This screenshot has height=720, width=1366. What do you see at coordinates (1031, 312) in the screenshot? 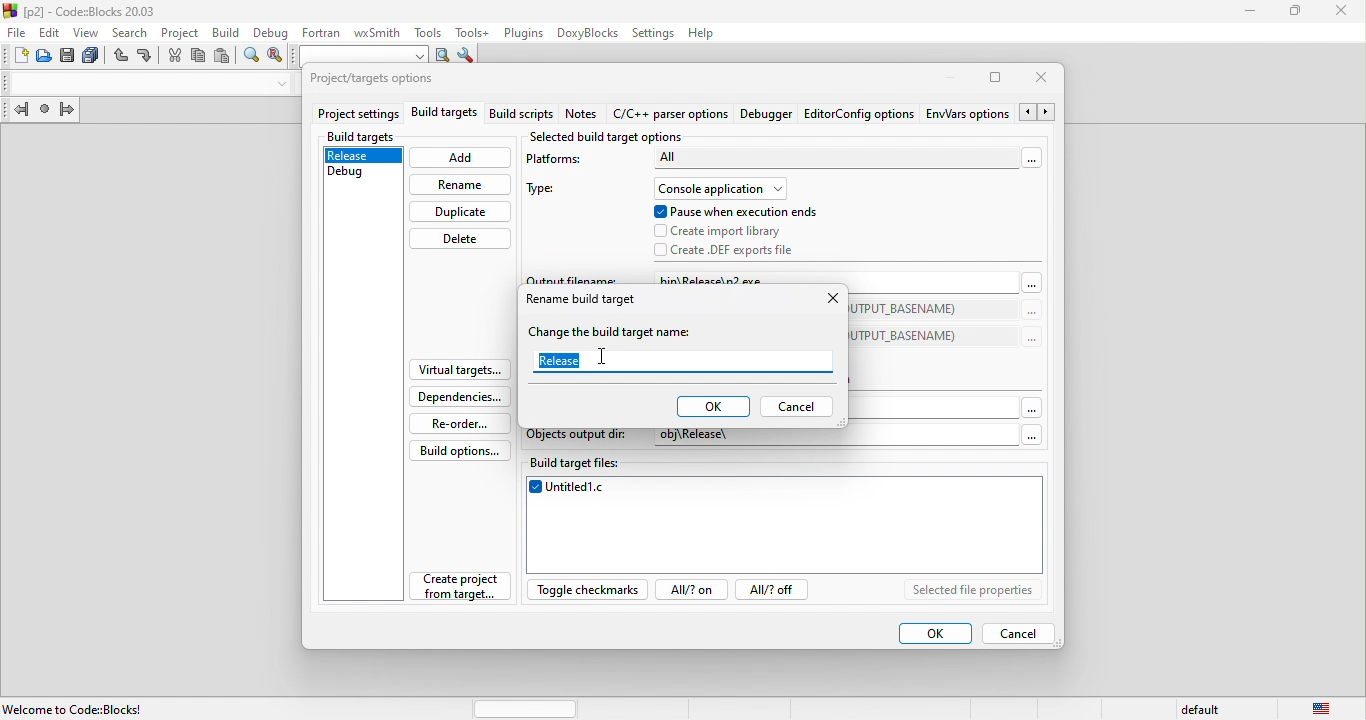
I see `more` at bounding box center [1031, 312].